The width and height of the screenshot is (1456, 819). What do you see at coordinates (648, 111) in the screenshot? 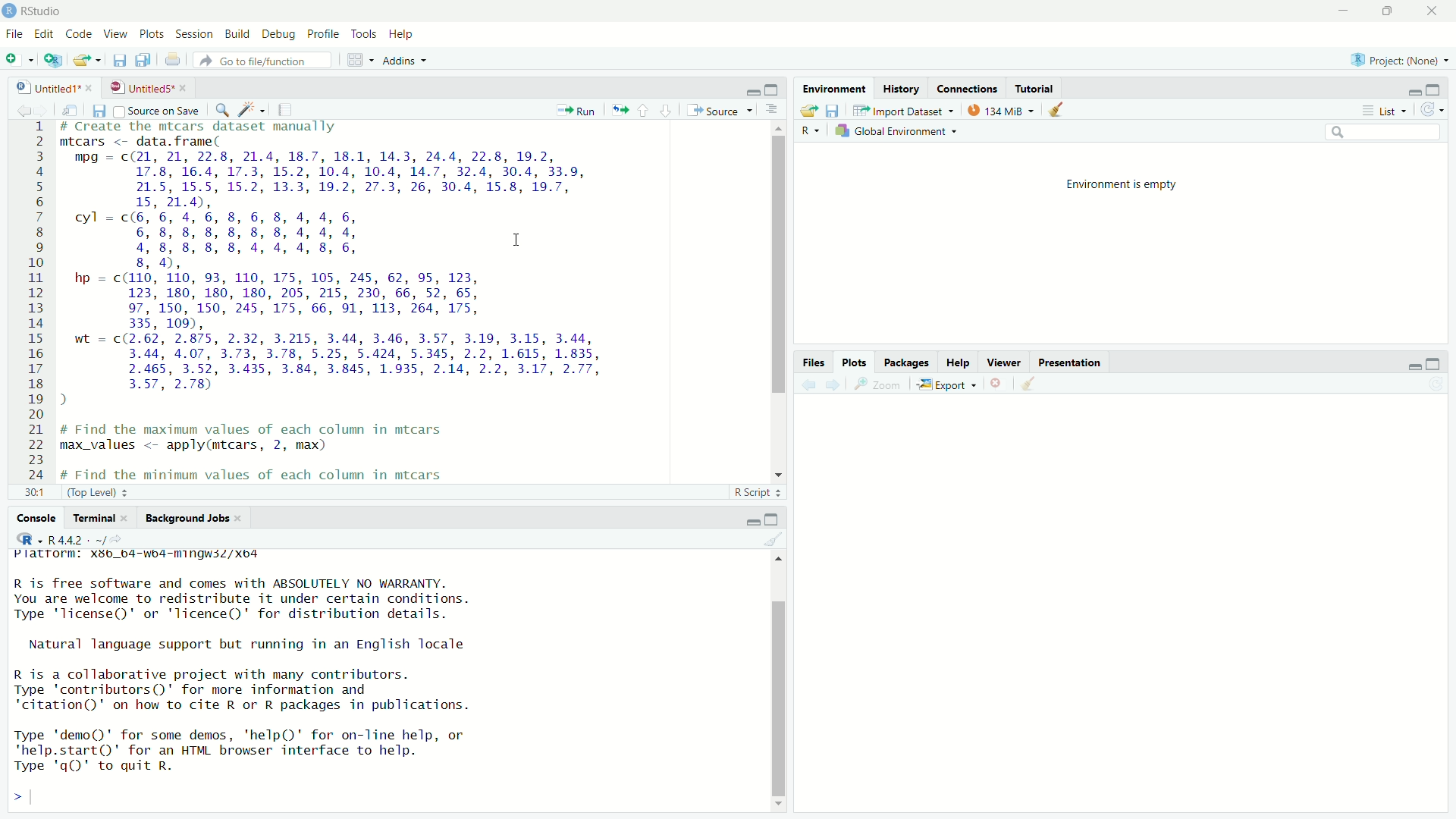
I see `upward` at bounding box center [648, 111].